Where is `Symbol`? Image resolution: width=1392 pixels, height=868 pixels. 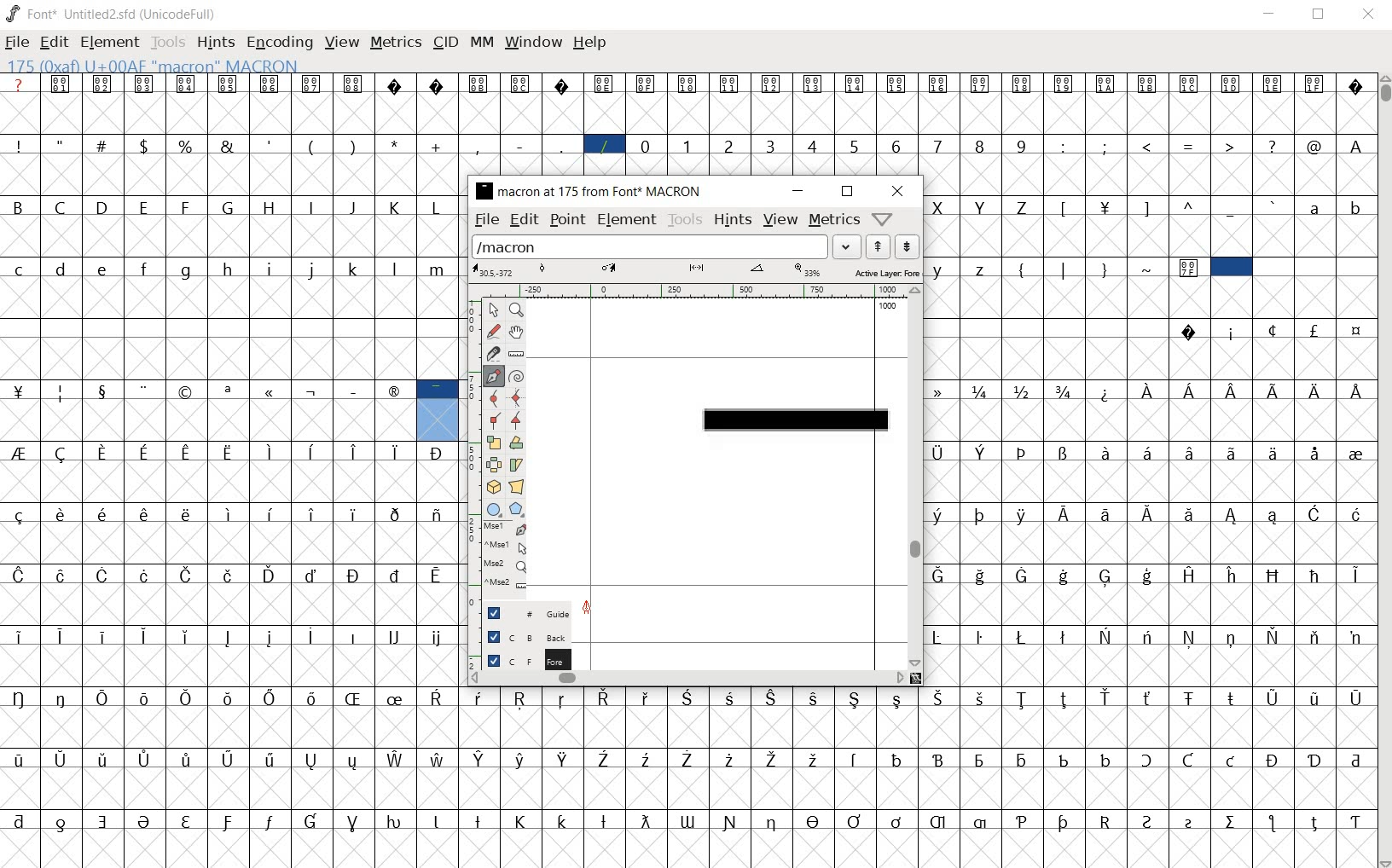
Symbol is located at coordinates (481, 697).